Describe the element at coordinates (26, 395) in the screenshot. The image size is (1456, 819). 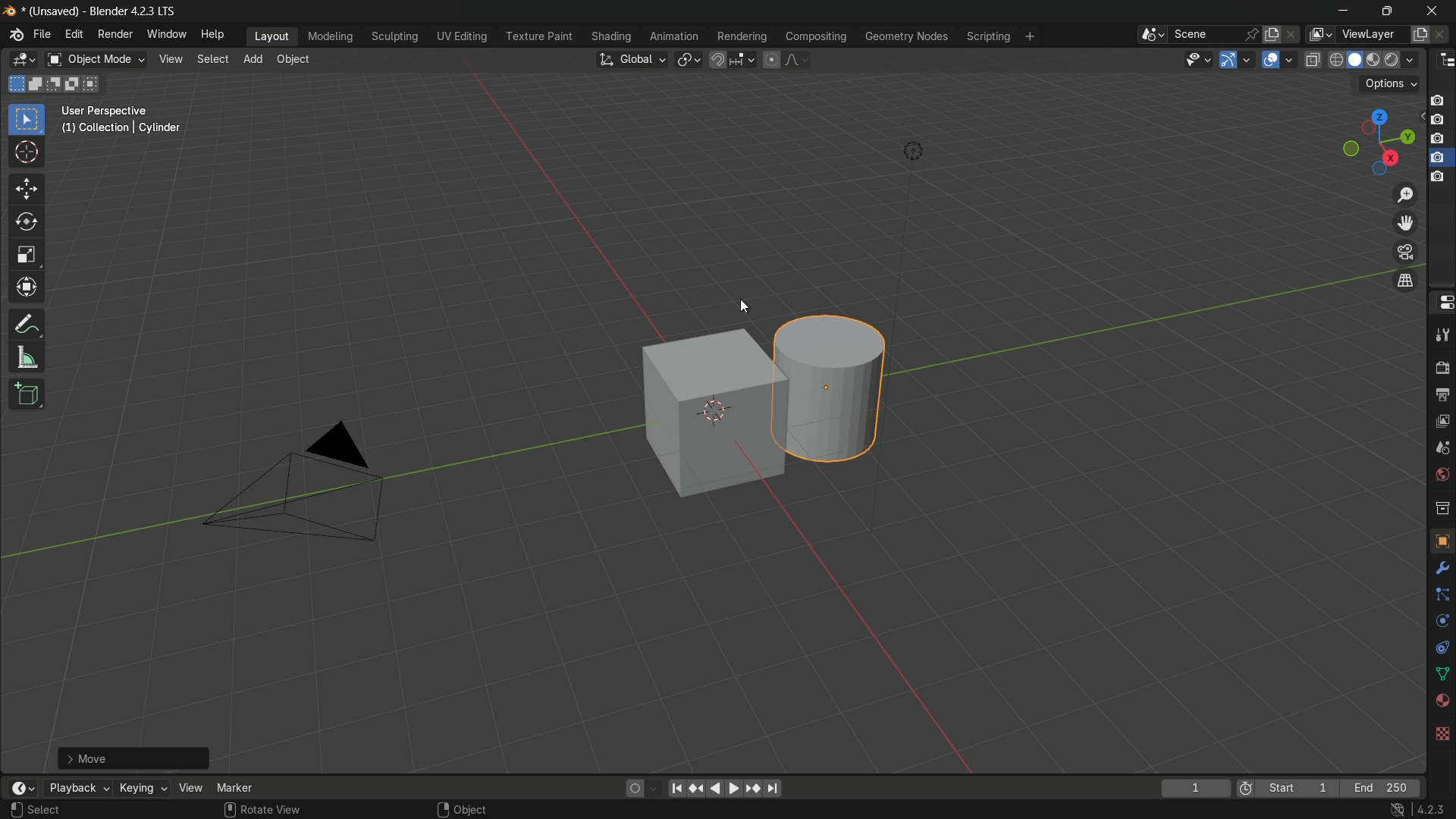
I see `add cube` at that location.